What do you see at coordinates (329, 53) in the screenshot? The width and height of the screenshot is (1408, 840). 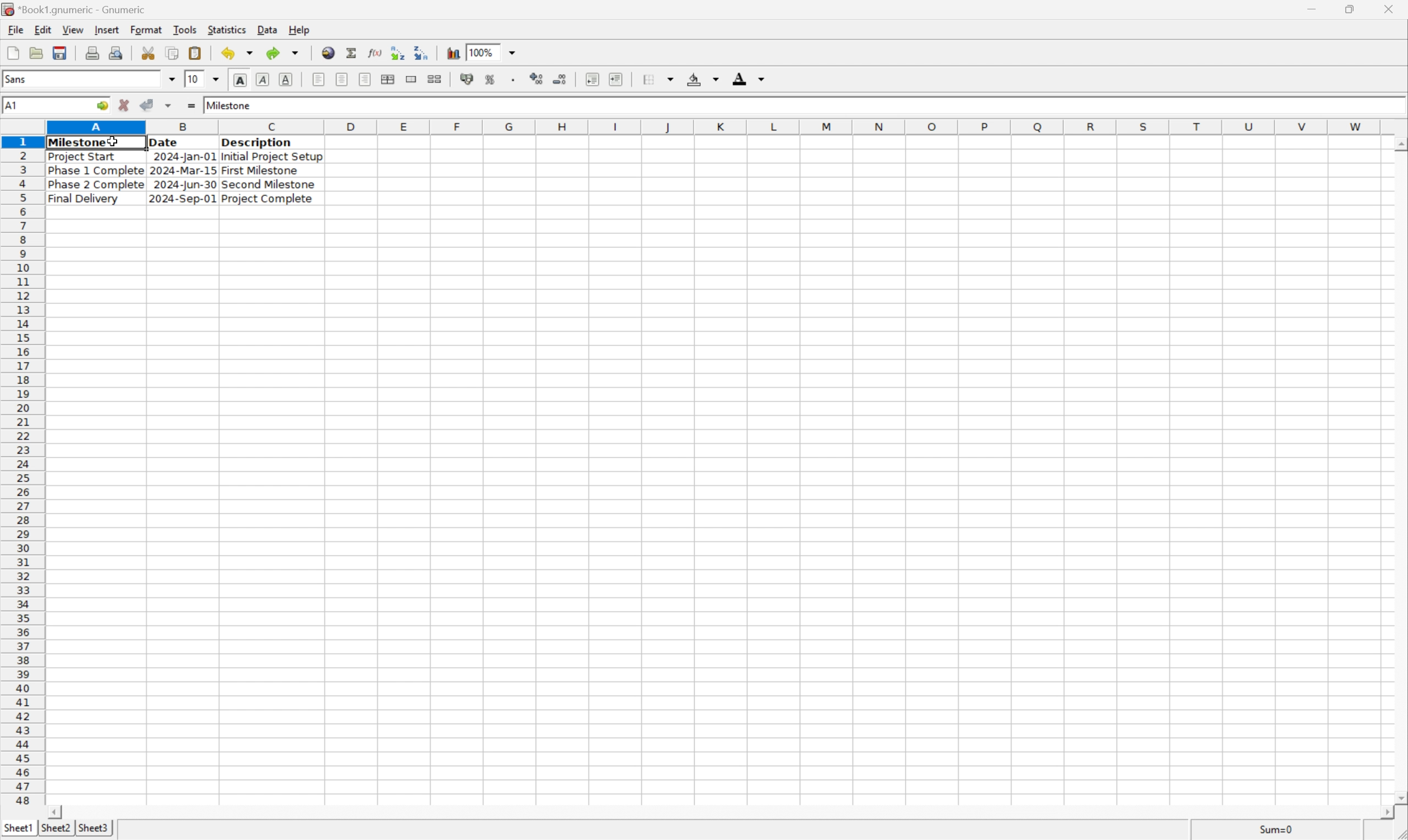 I see `insert a hyperlink` at bounding box center [329, 53].